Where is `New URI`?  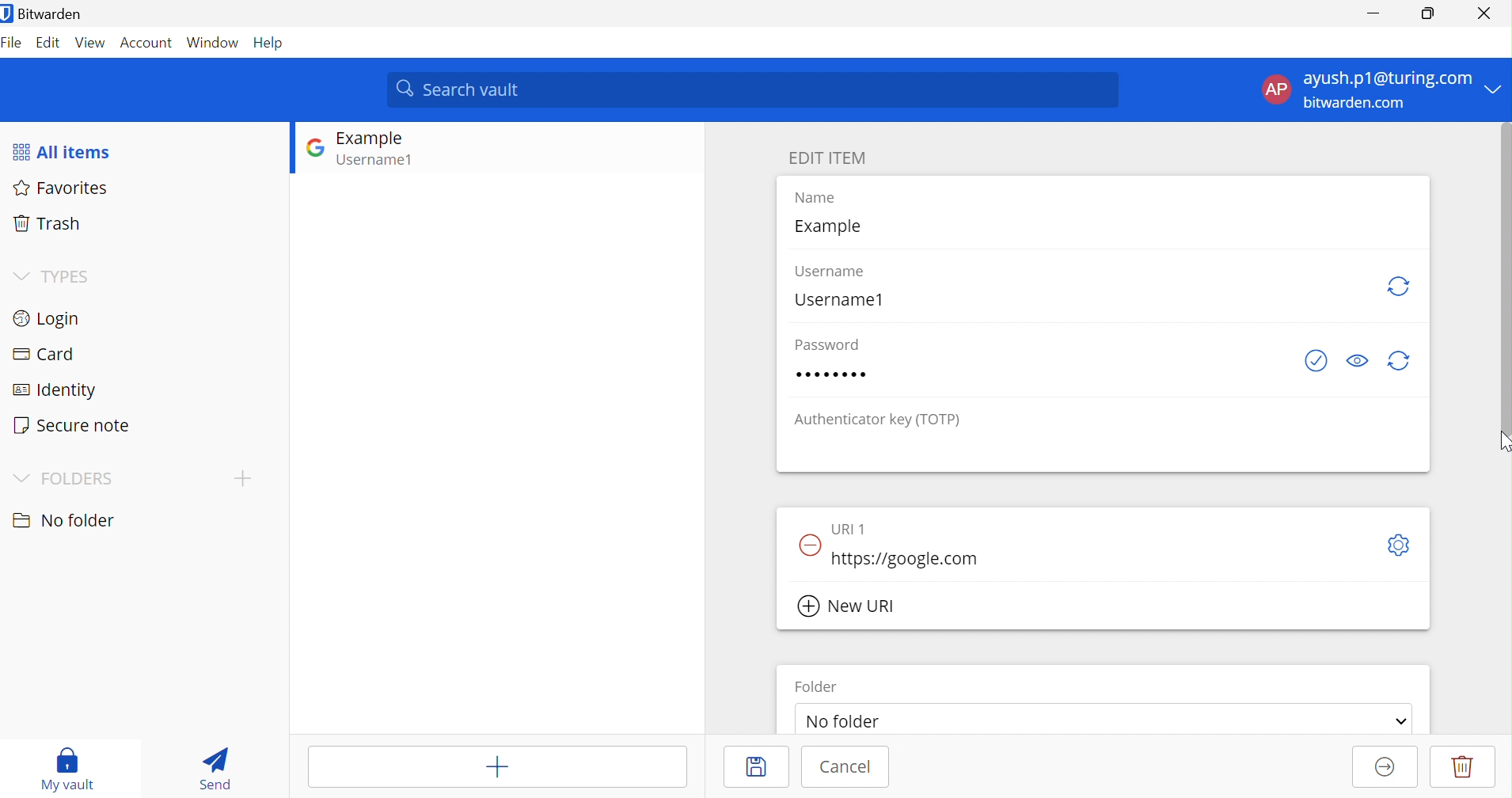
New URI is located at coordinates (847, 606).